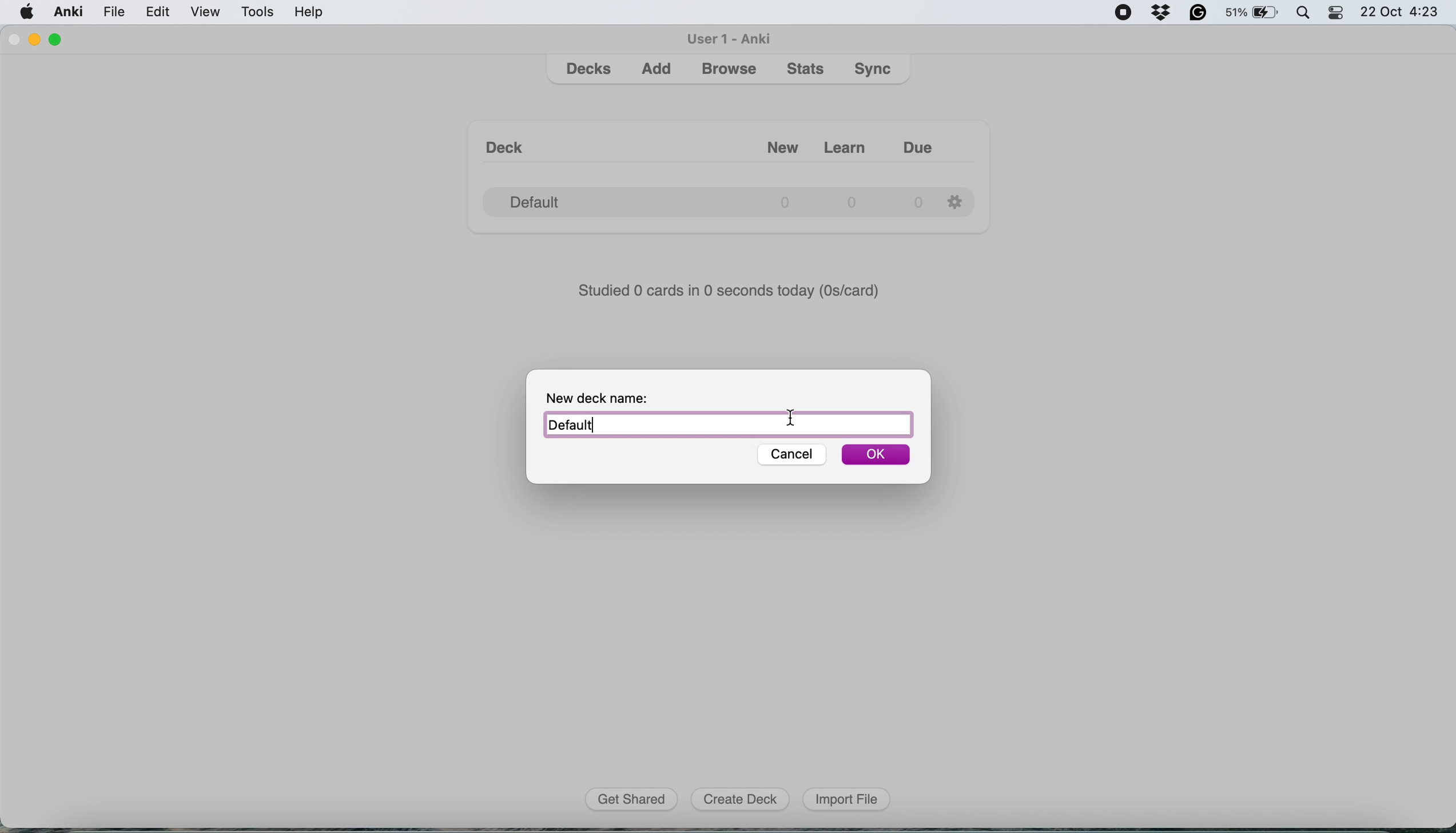 The image size is (1456, 833). Describe the element at coordinates (27, 13) in the screenshot. I see `system logo` at that location.